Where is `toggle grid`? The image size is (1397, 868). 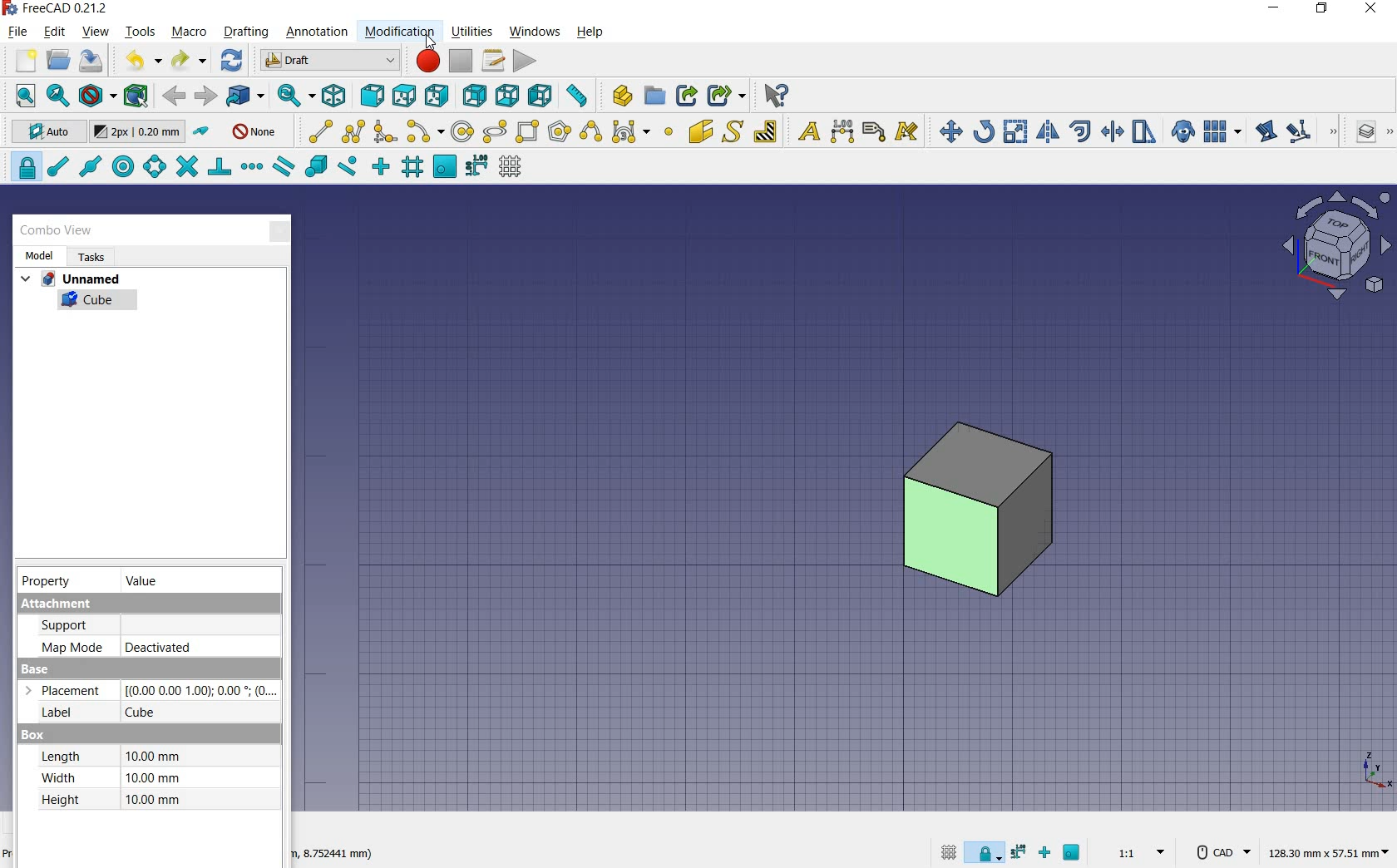
toggle grid is located at coordinates (949, 854).